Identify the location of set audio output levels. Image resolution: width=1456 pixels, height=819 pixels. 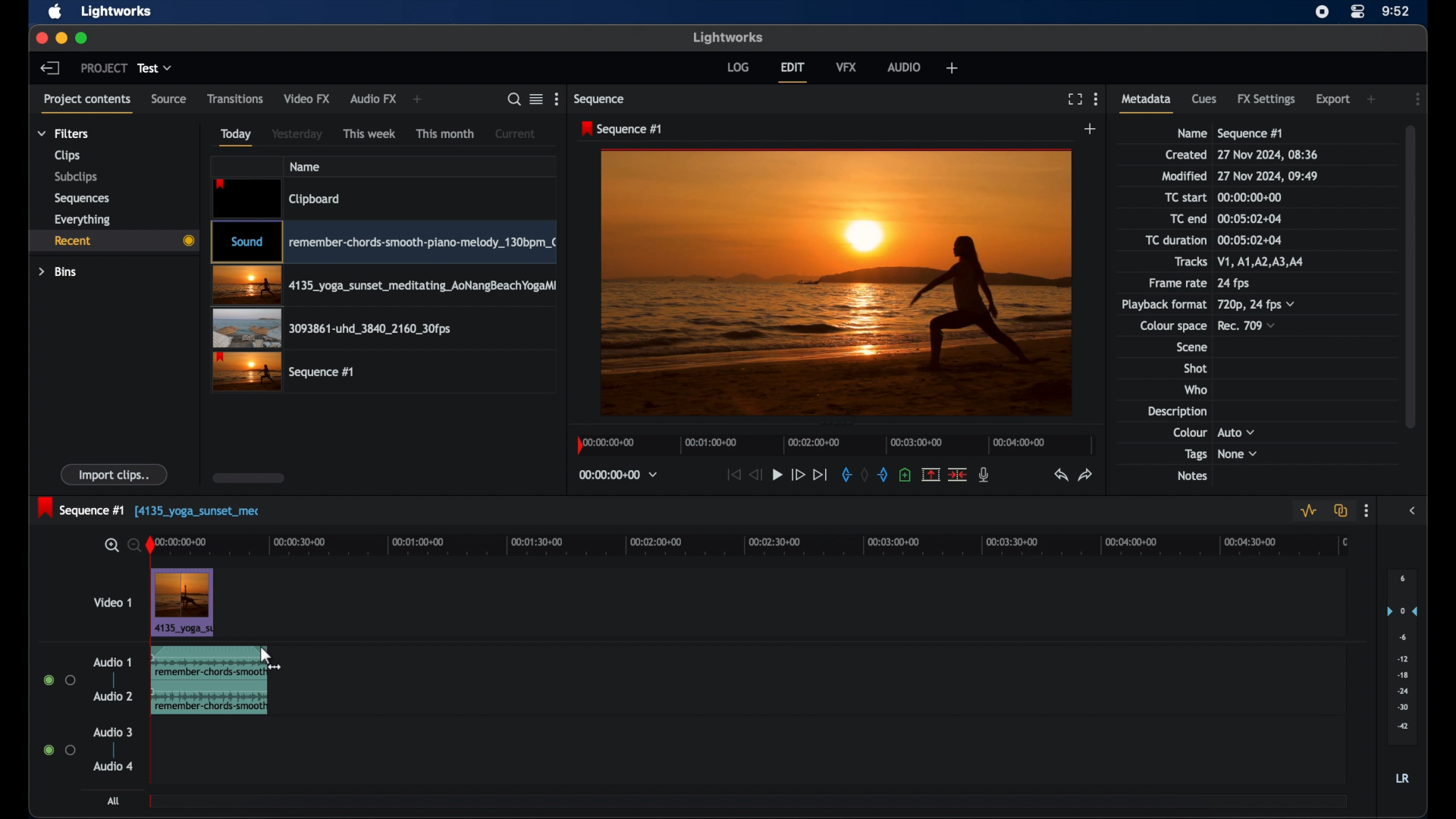
(1401, 657).